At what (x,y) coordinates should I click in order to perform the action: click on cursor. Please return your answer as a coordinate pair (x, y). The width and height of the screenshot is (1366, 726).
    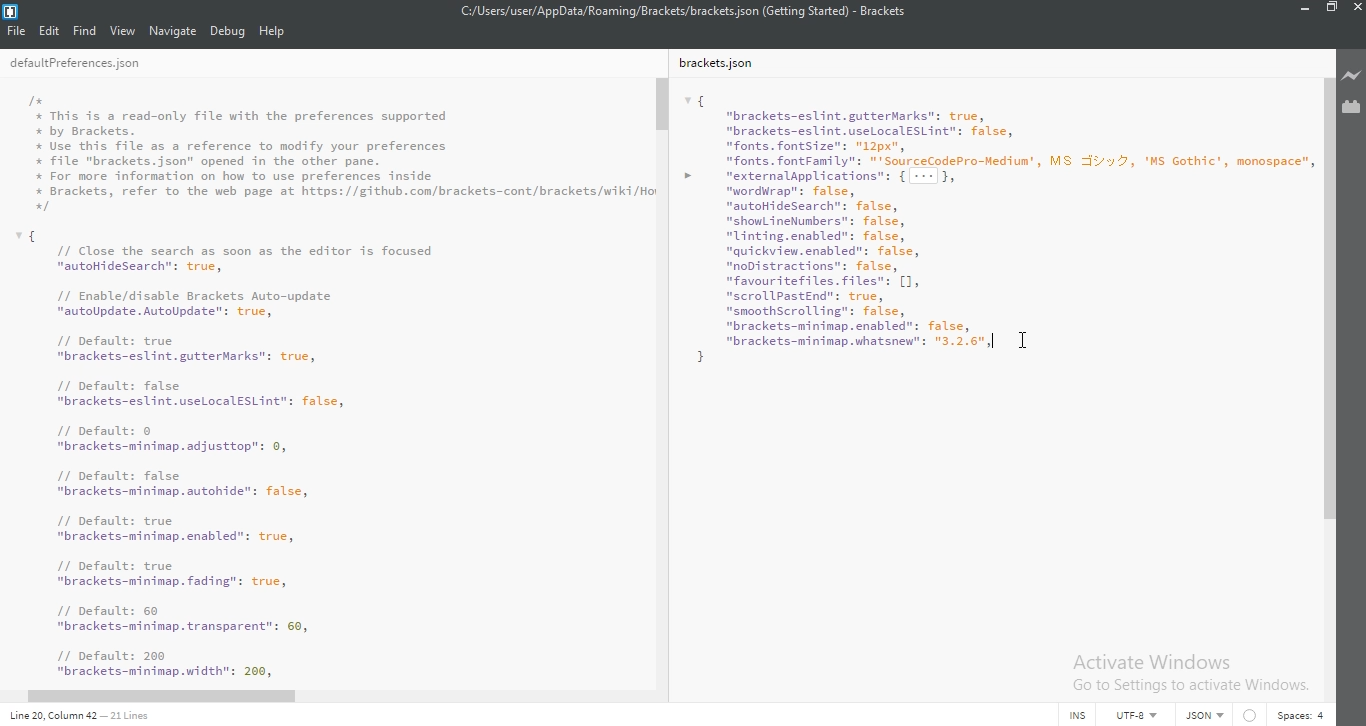
    Looking at the image, I should click on (1028, 338).